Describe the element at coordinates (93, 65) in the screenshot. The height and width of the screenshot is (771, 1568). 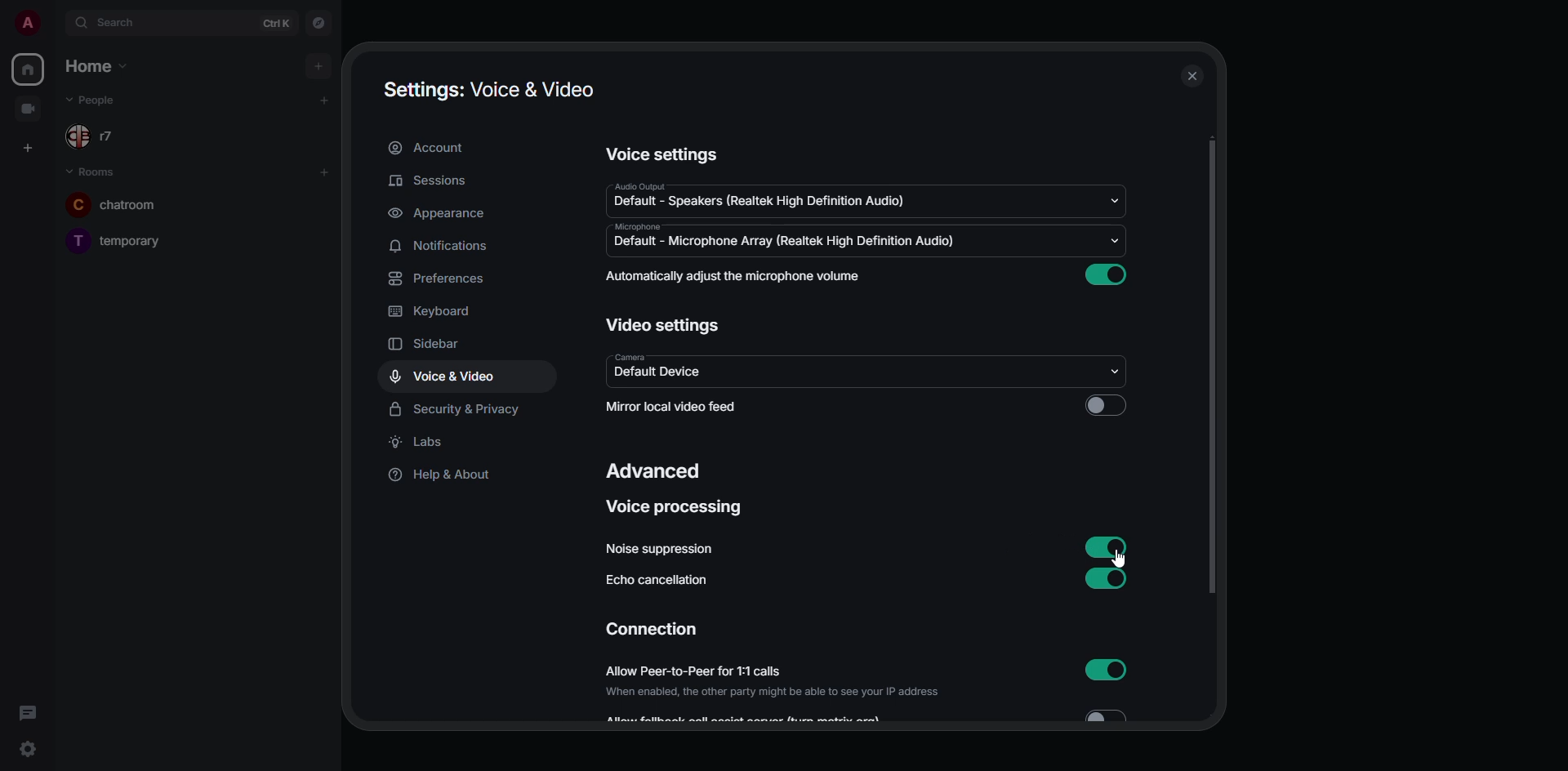
I see `home` at that location.